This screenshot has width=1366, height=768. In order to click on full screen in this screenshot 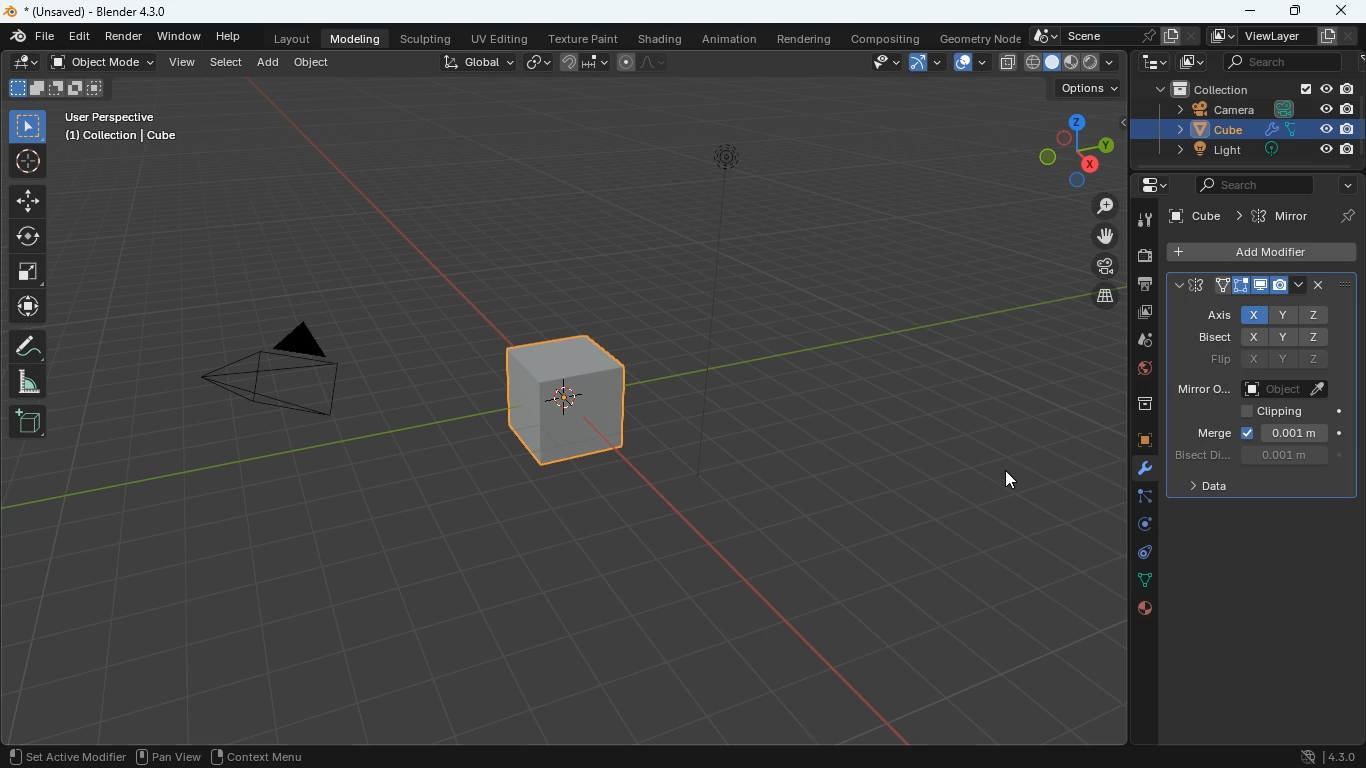, I will do `click(28, 274)`.